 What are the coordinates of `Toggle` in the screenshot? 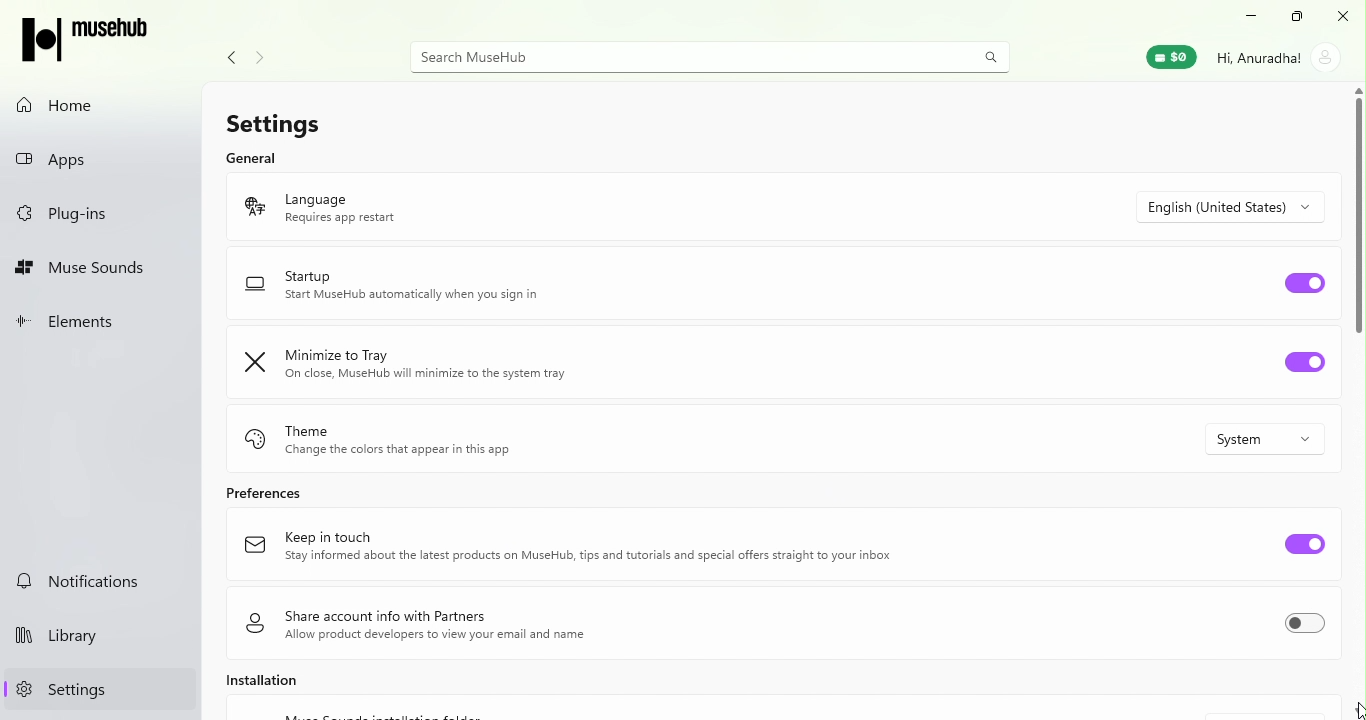 It's located at (1299, 363).